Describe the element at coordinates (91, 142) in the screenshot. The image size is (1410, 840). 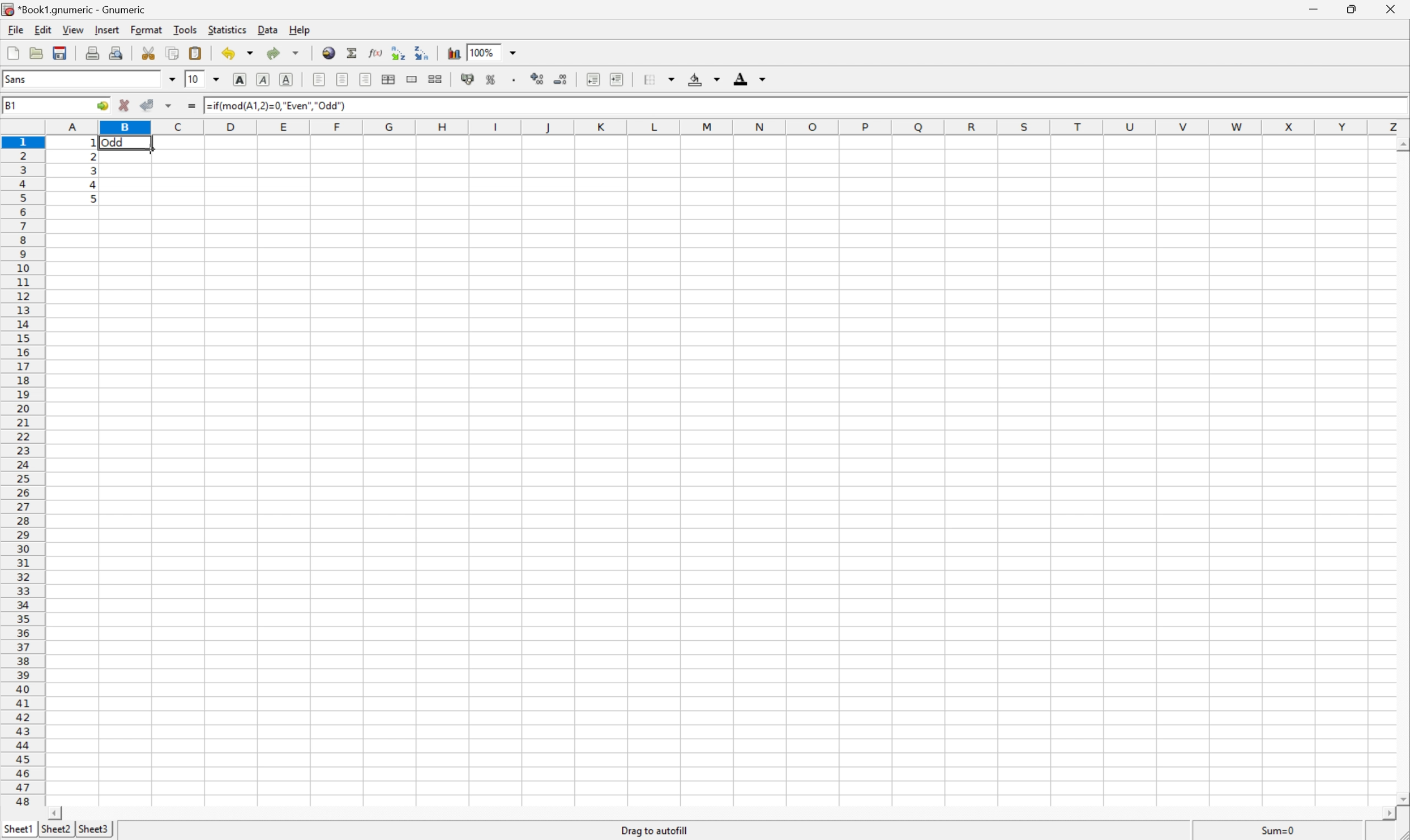
I see `` at that location.